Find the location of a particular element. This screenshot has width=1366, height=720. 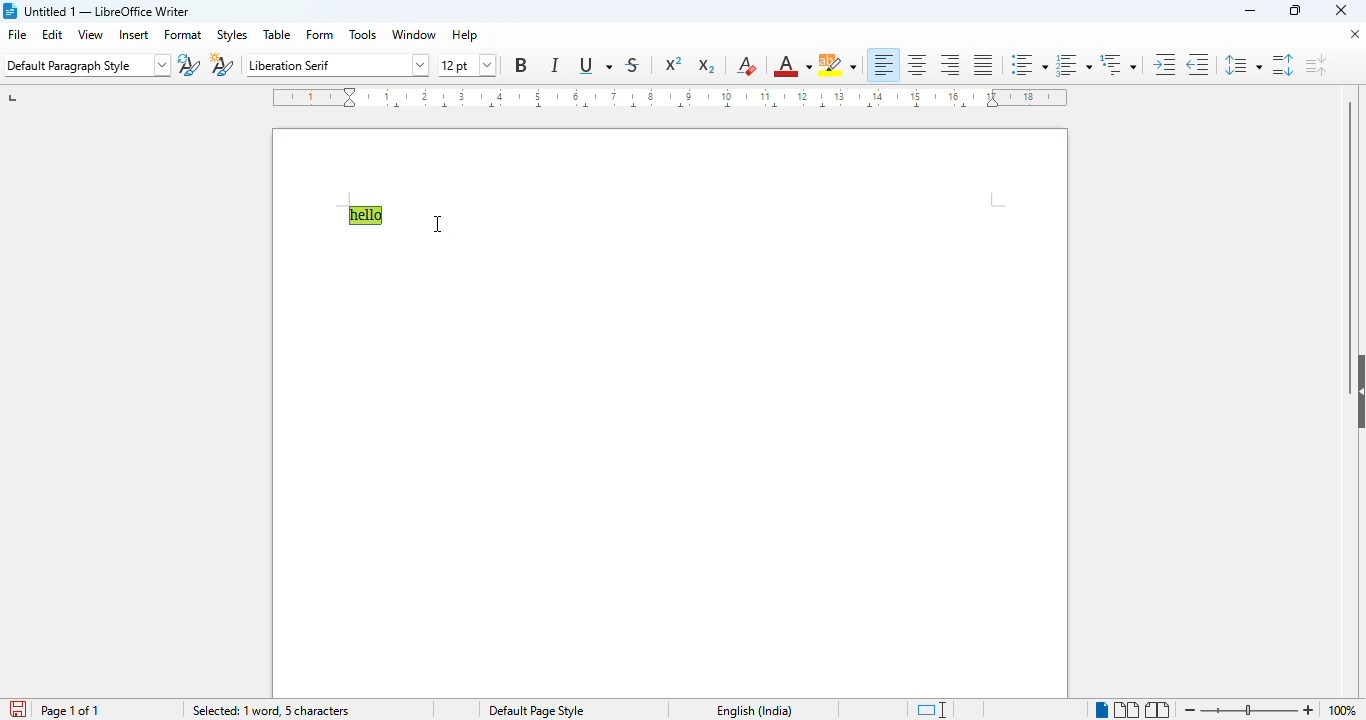

untitled 1 — LibreOffice Writer is located at coordinates (110, 12).